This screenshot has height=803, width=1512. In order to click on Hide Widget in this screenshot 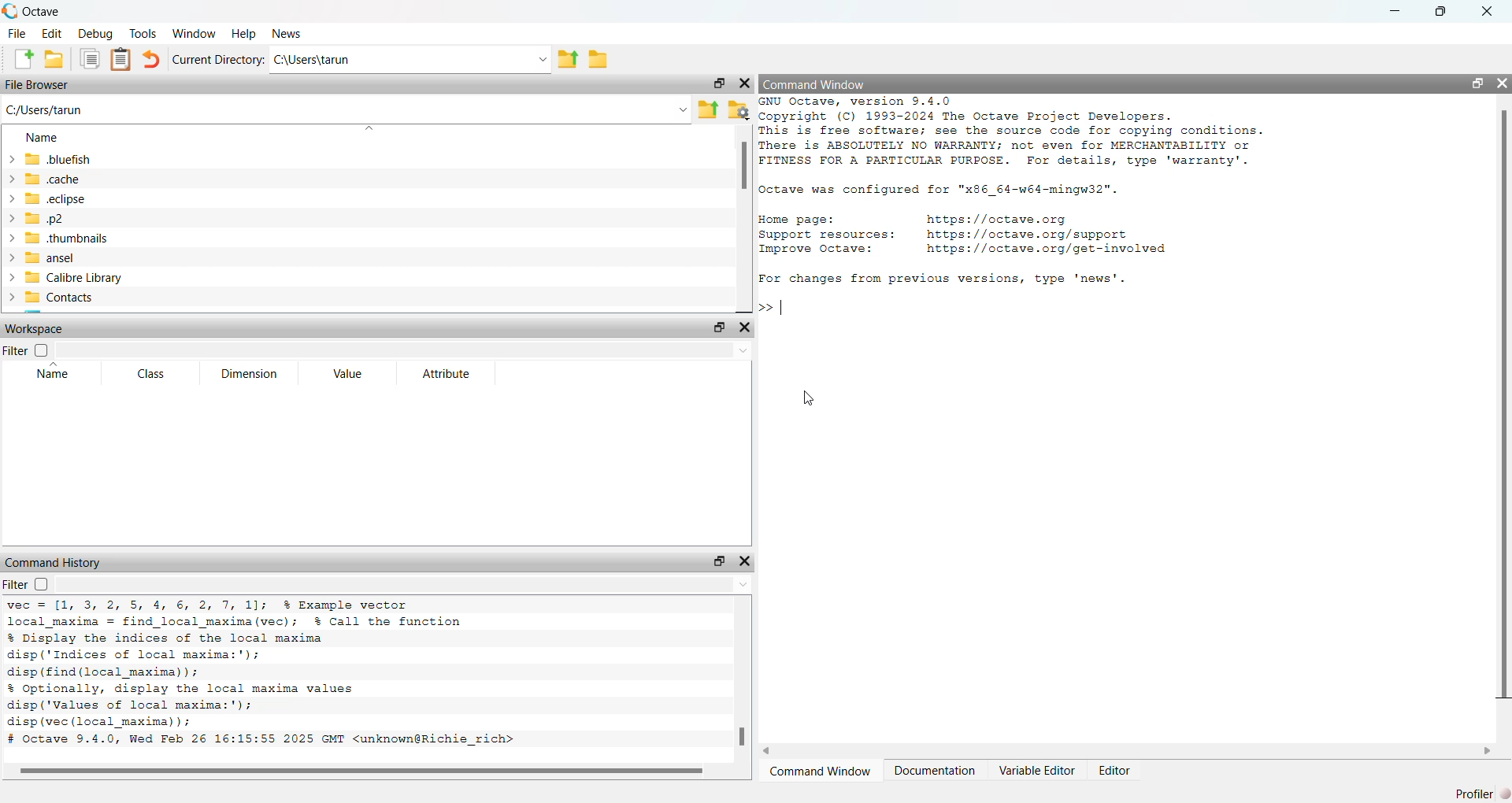, I will do `click(744, 328)`.